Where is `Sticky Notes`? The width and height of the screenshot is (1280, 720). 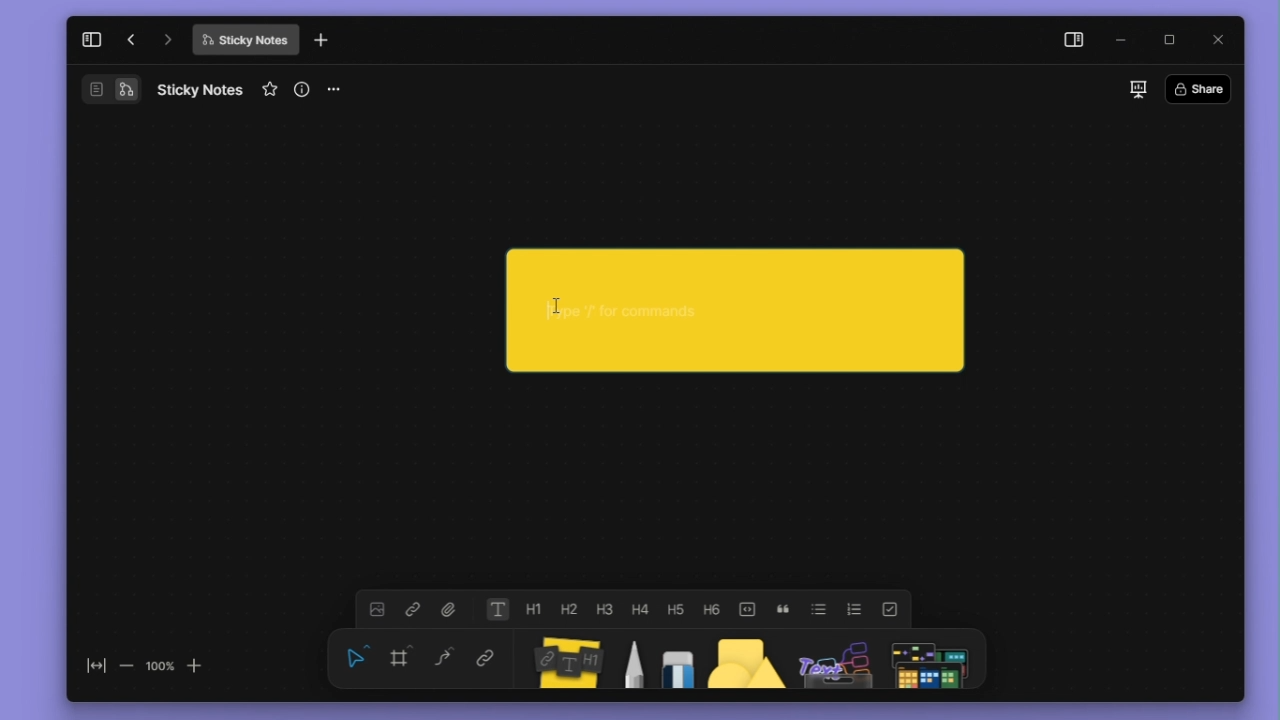
Sticky Notes is located at coordinates (243, 43).